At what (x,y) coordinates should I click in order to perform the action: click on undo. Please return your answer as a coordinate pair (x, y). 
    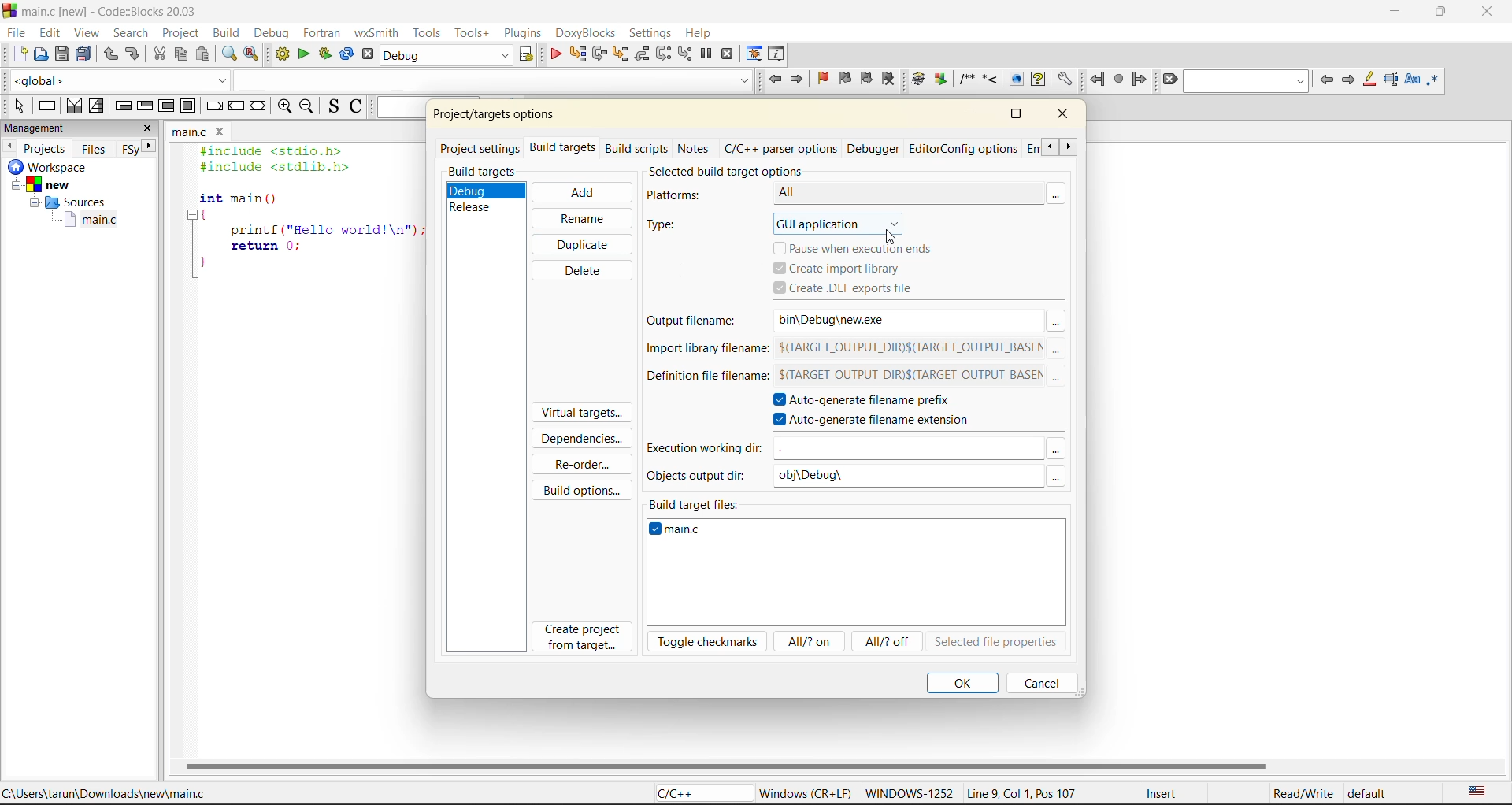
    Looking at the image, I should click on (109, 54).